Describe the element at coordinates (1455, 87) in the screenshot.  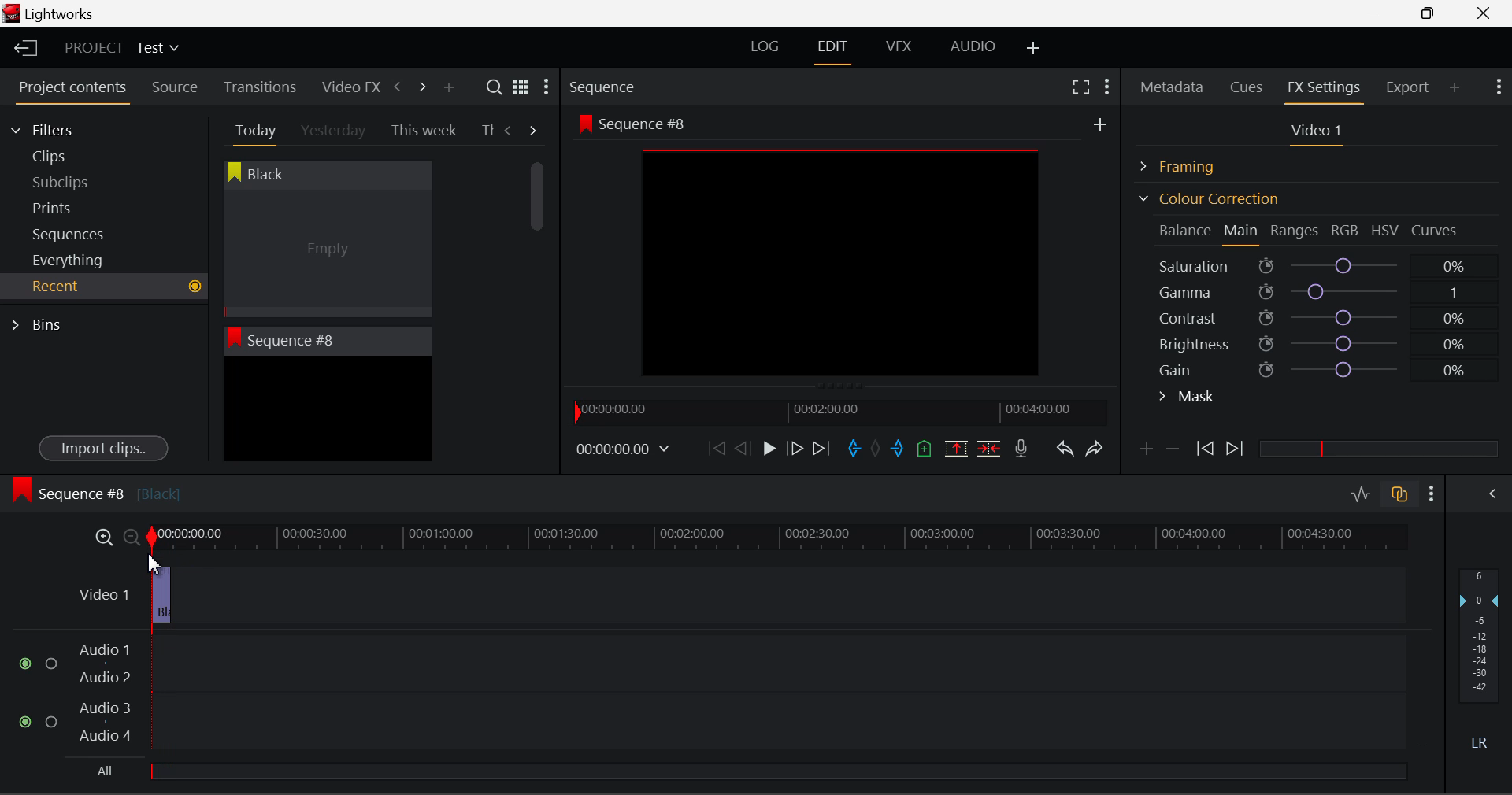
I see `Add Panel` at that location.